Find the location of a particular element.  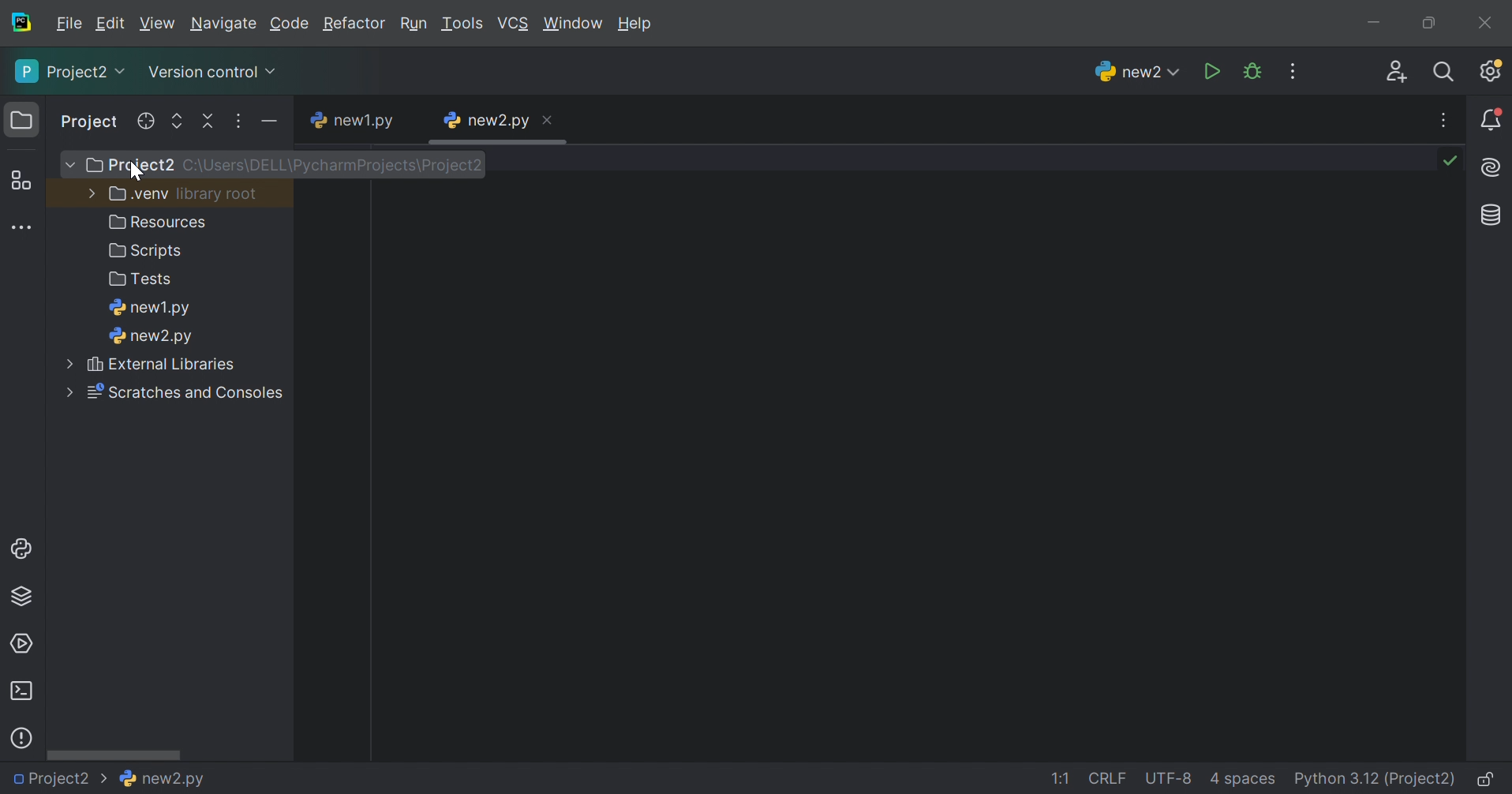

Updates available. IDE and Project Settings. is located at coordinates (1493, 73).